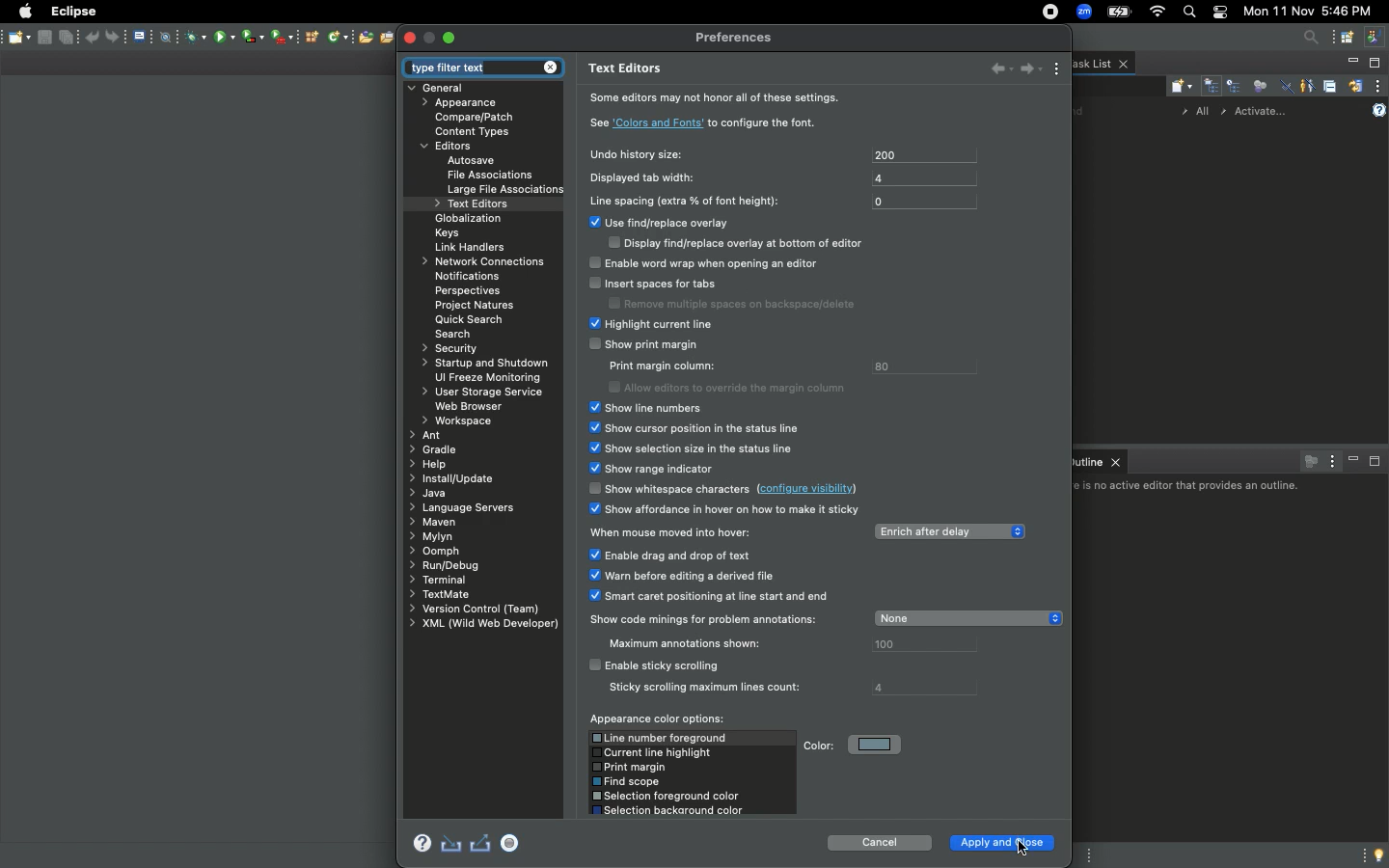  Describe the element at coordinates (707, 632) in the screenshot. I see `Show code minings for problem annotations` at that location.